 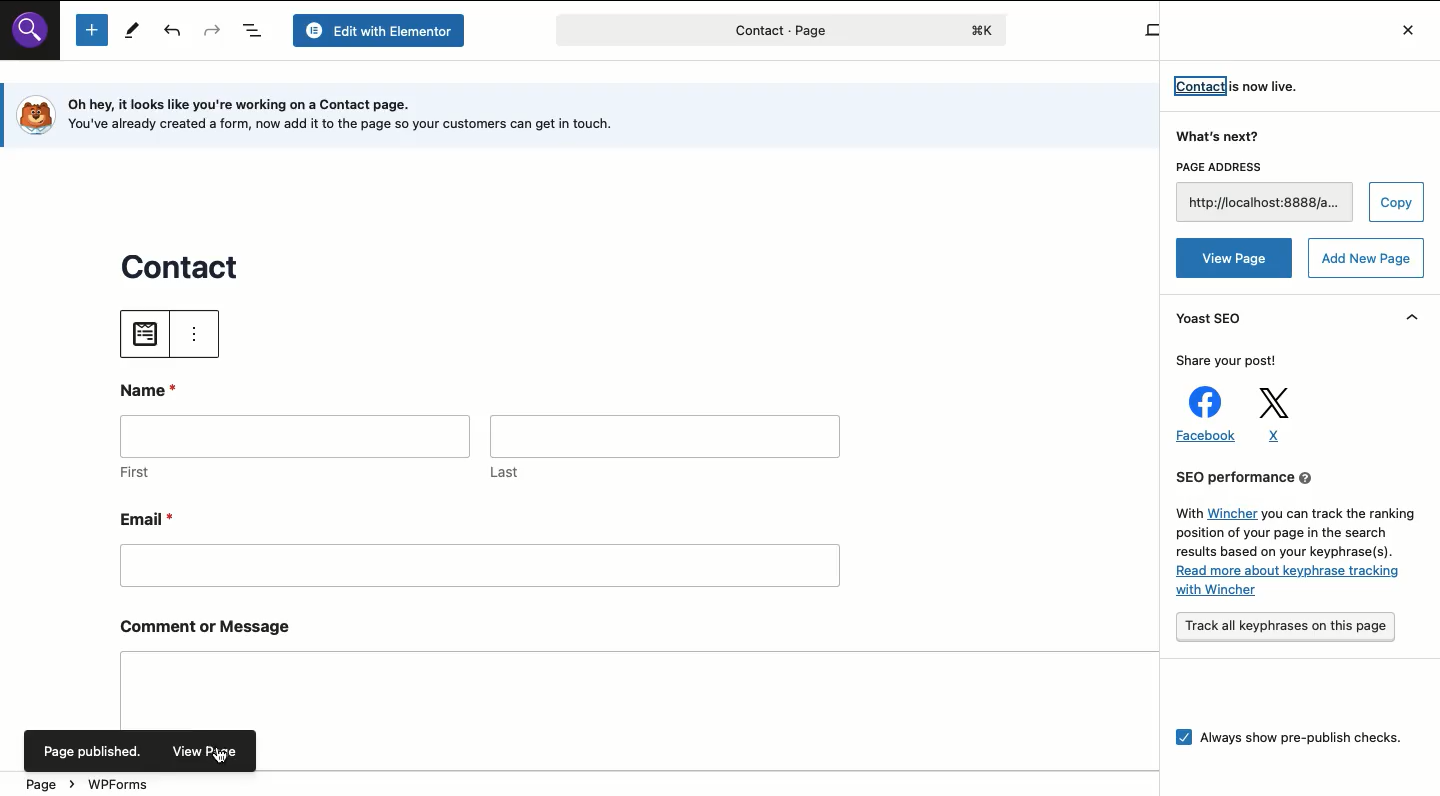 I want to click on Copy, so click(x=1395, y=203).